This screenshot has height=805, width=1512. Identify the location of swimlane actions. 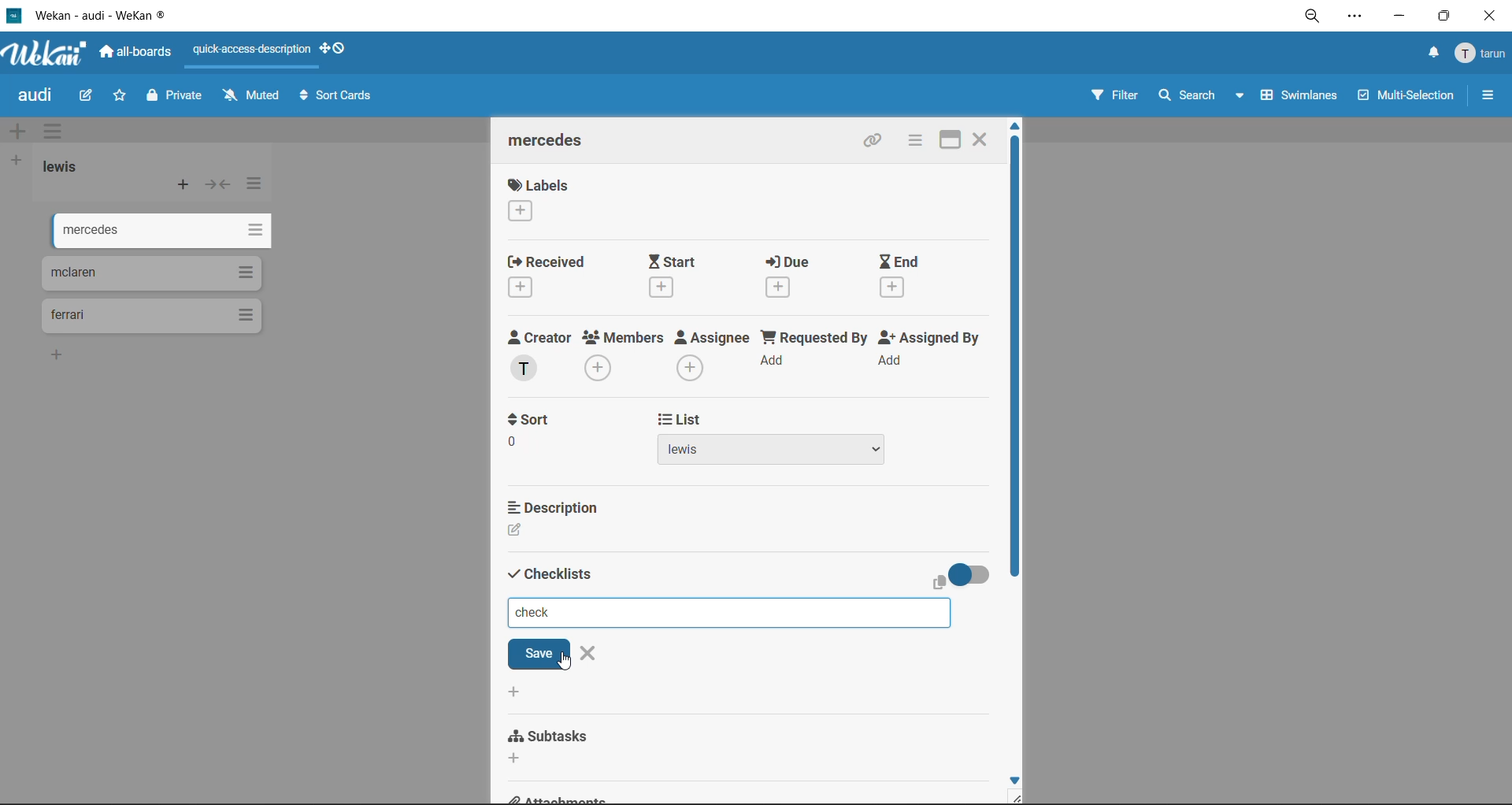
(57, 133).